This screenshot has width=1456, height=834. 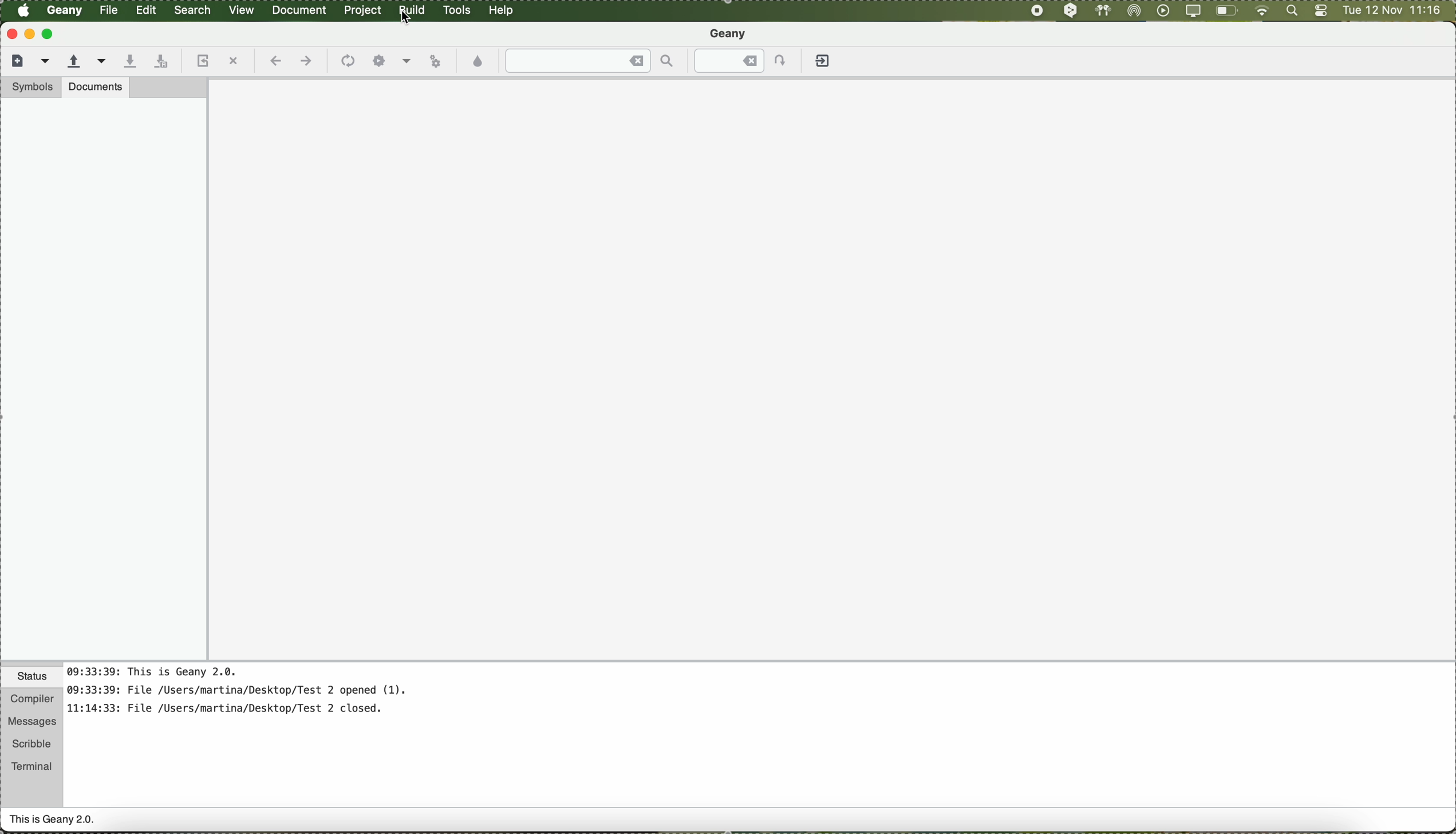 I want to click on navigate foward a location, so click(x=305, y=61).